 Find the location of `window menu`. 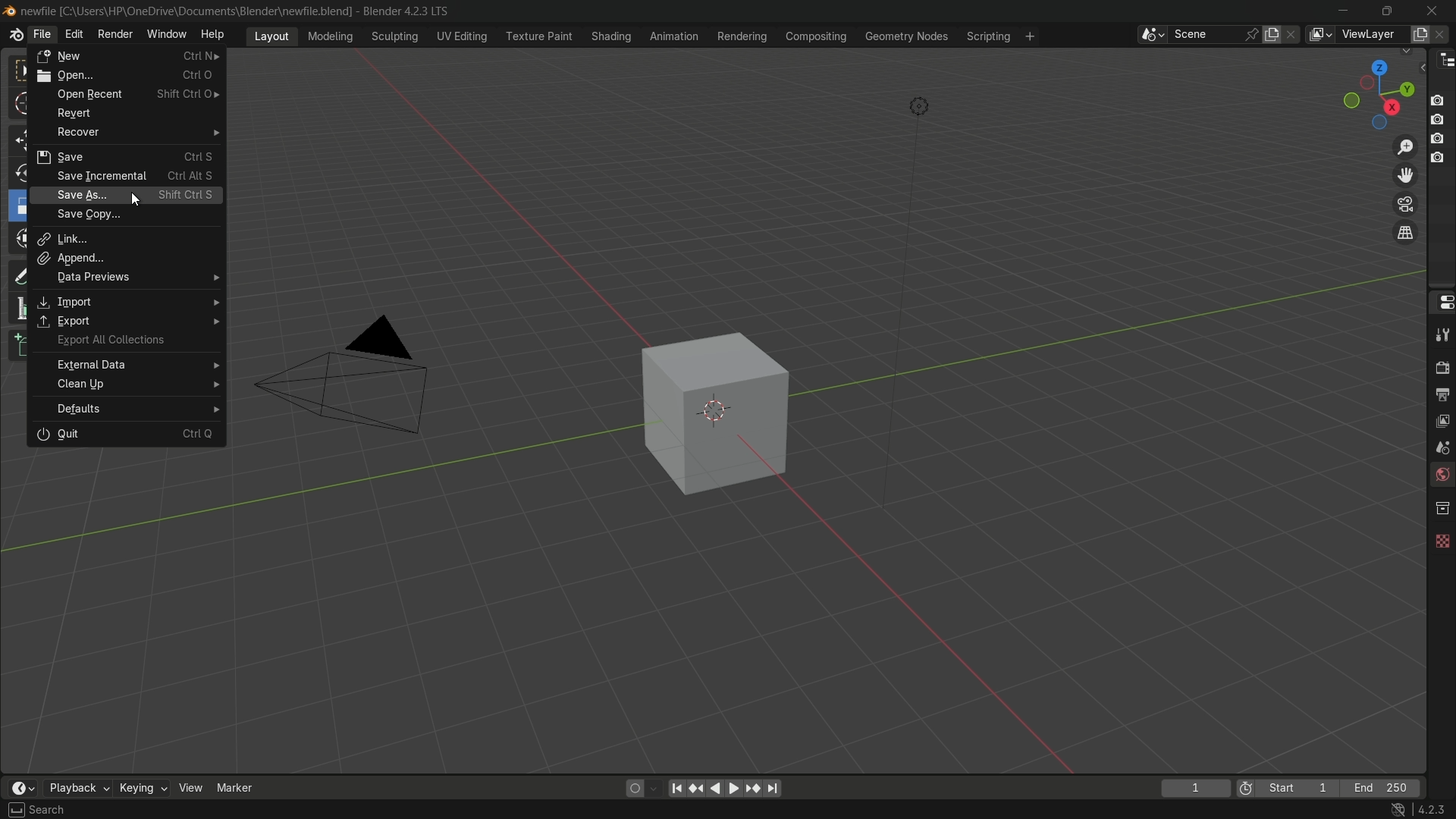

window menu is located at coordinates (167, 34).